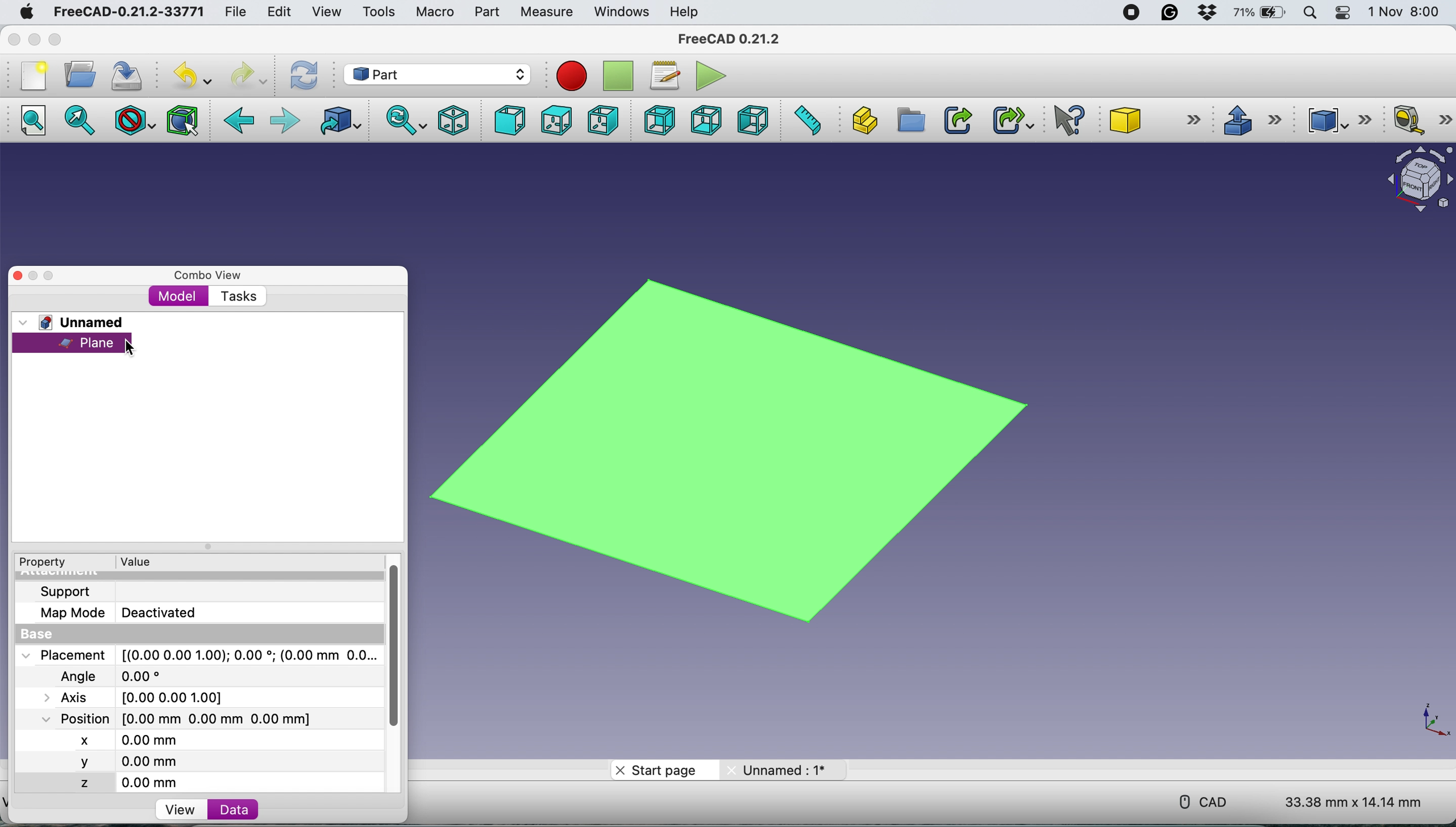 This screenshot has width=1456, height=827. What do you see at coordinates (660, 772) in the screenshot?
I see `start page` at bounding box center [660, 772].